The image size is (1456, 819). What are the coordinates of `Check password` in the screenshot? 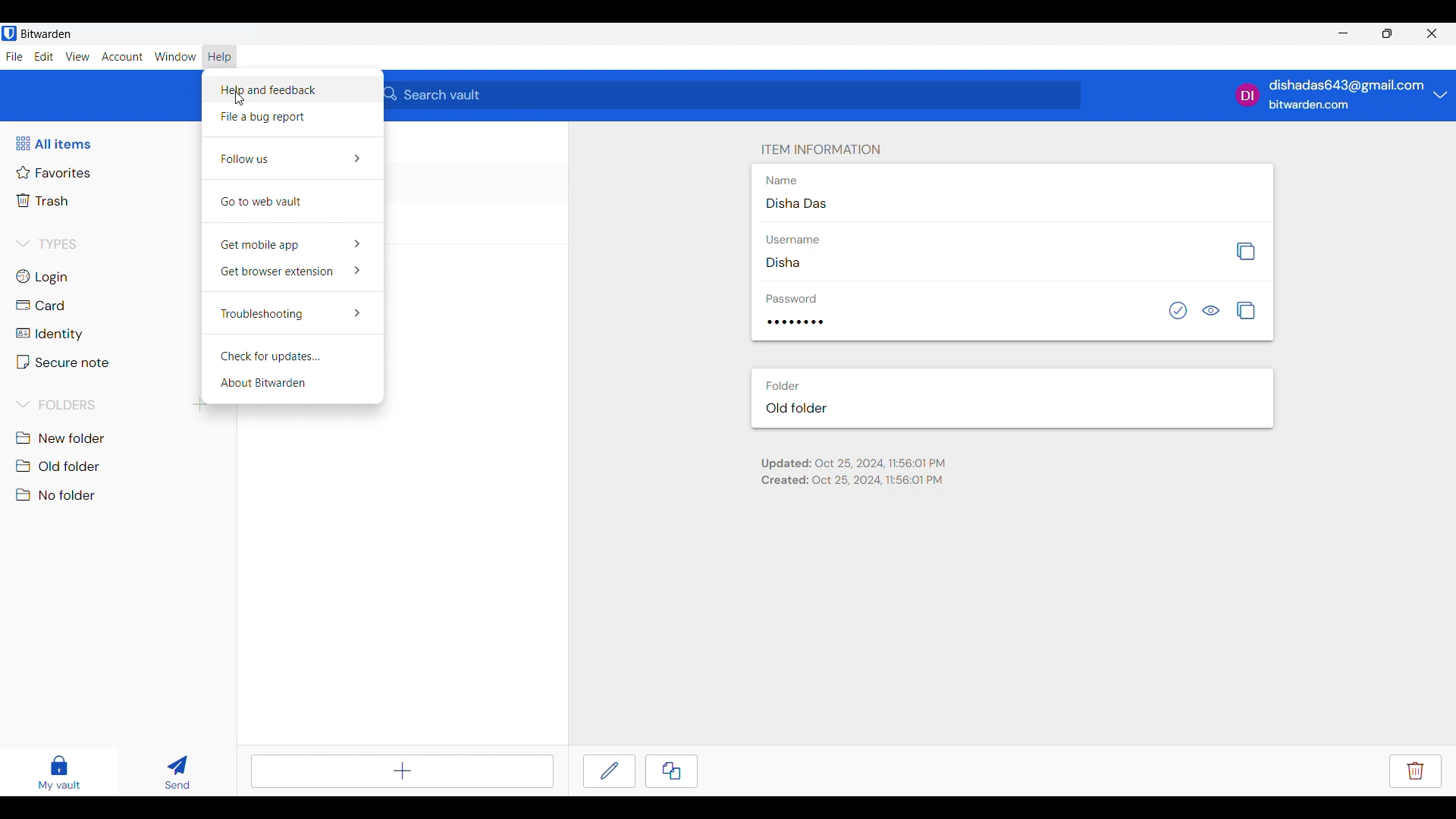 It's located at (1178, 310).